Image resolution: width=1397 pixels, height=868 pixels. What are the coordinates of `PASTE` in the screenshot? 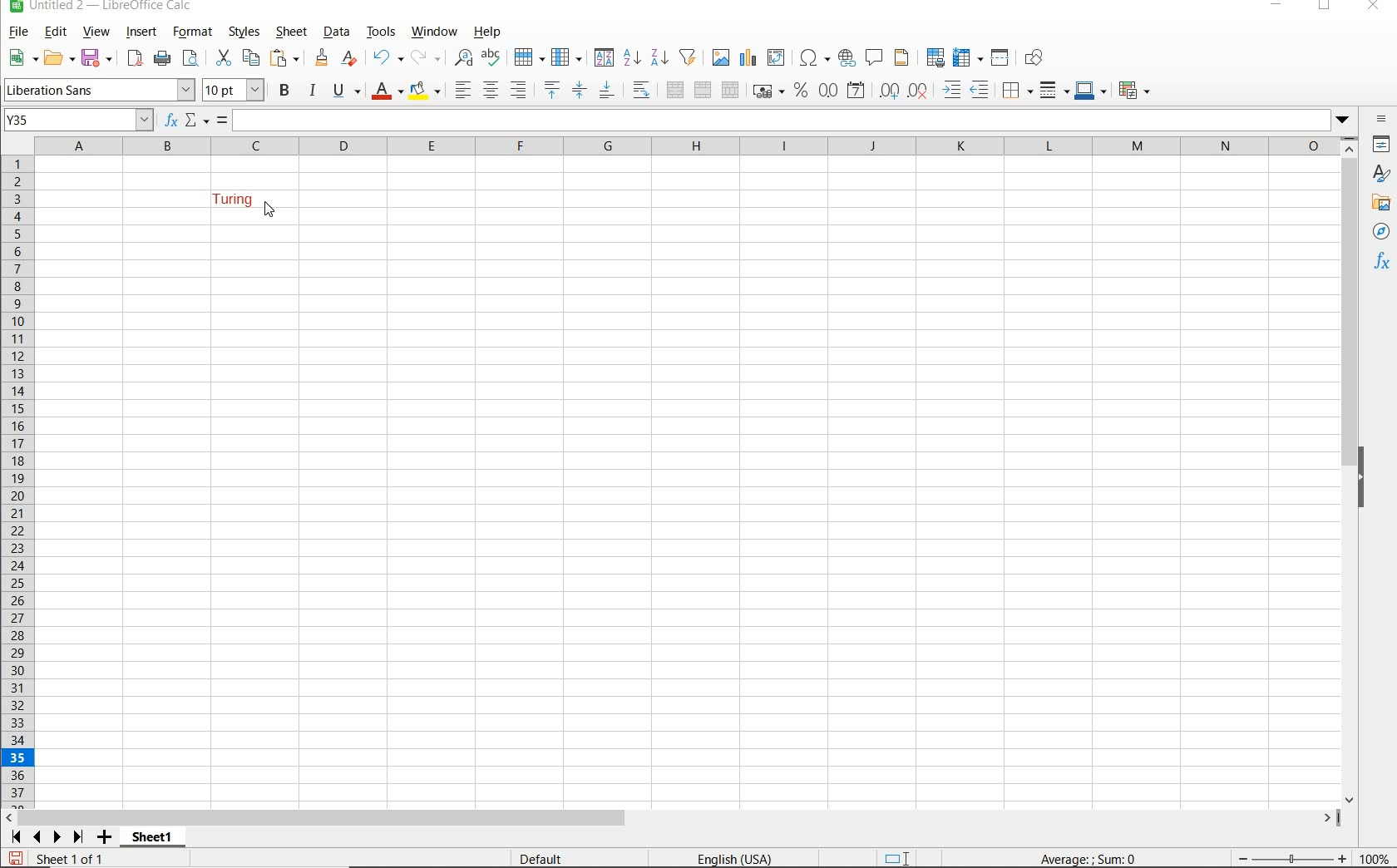 It's located at (285, 60).